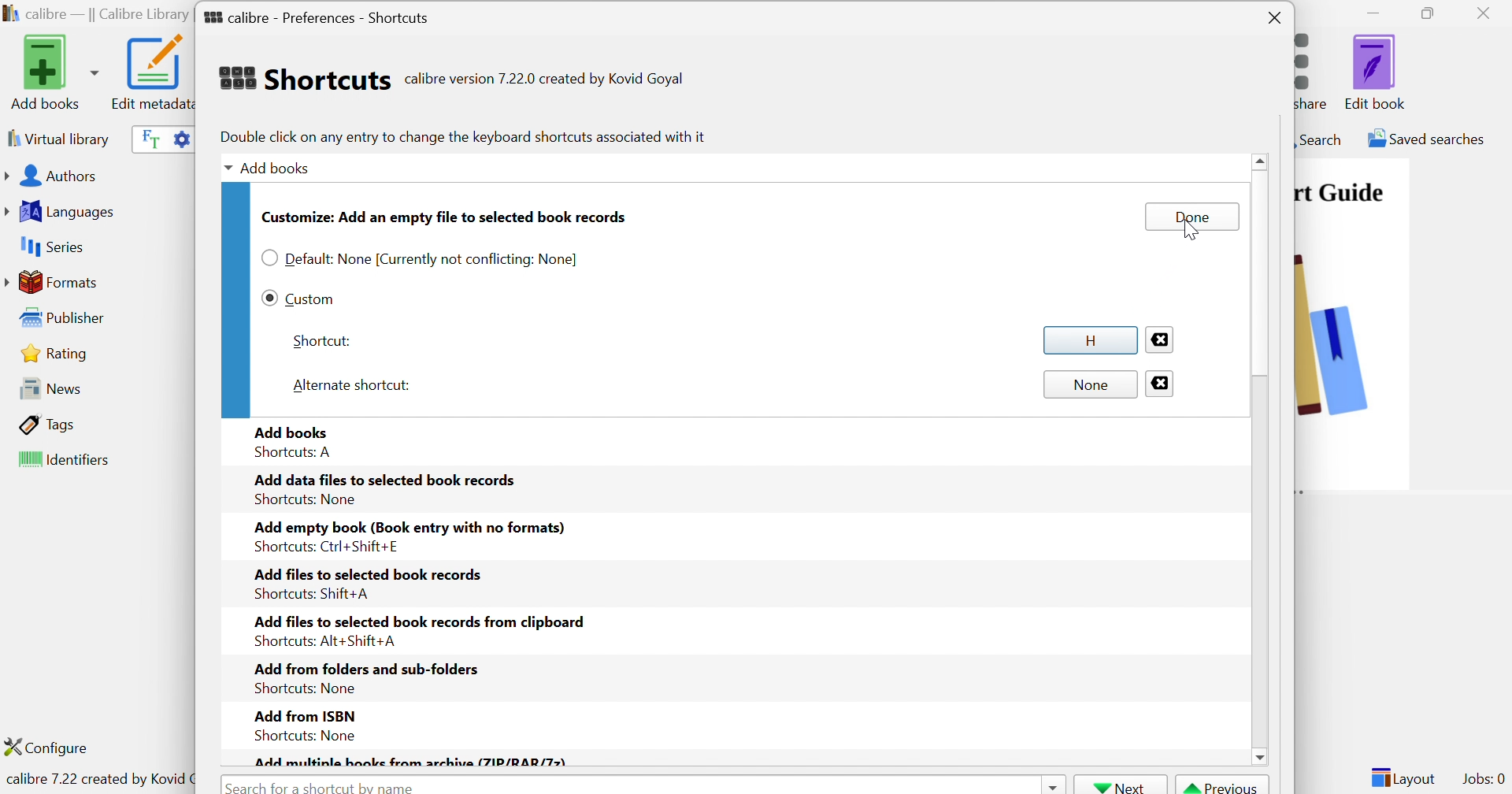 Image resolution: width=1512 pixels, height=794 pixels. I want to click on Custom, so click(310, 298).